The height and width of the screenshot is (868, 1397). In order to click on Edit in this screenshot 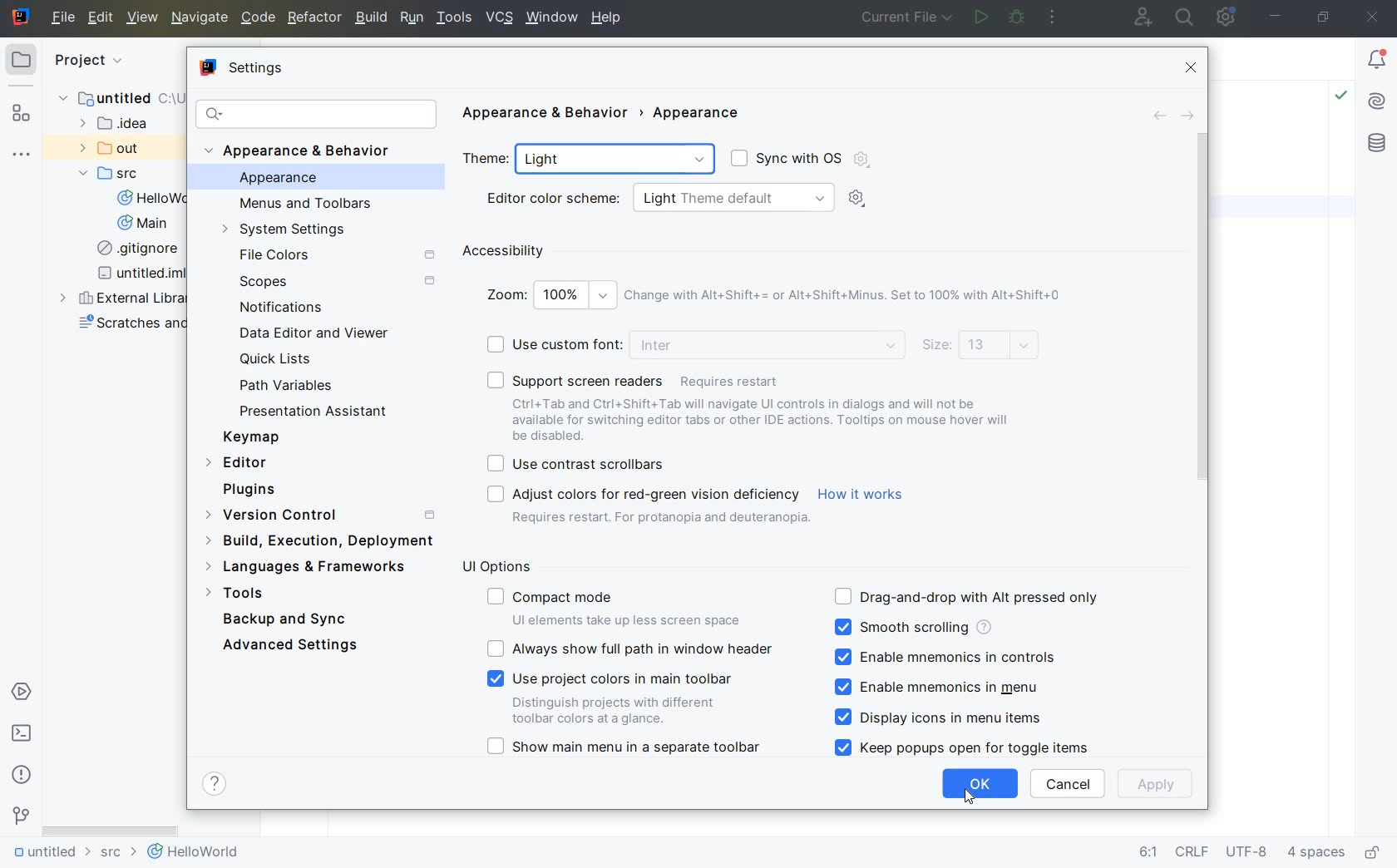, I will do `click(99, 19)`.